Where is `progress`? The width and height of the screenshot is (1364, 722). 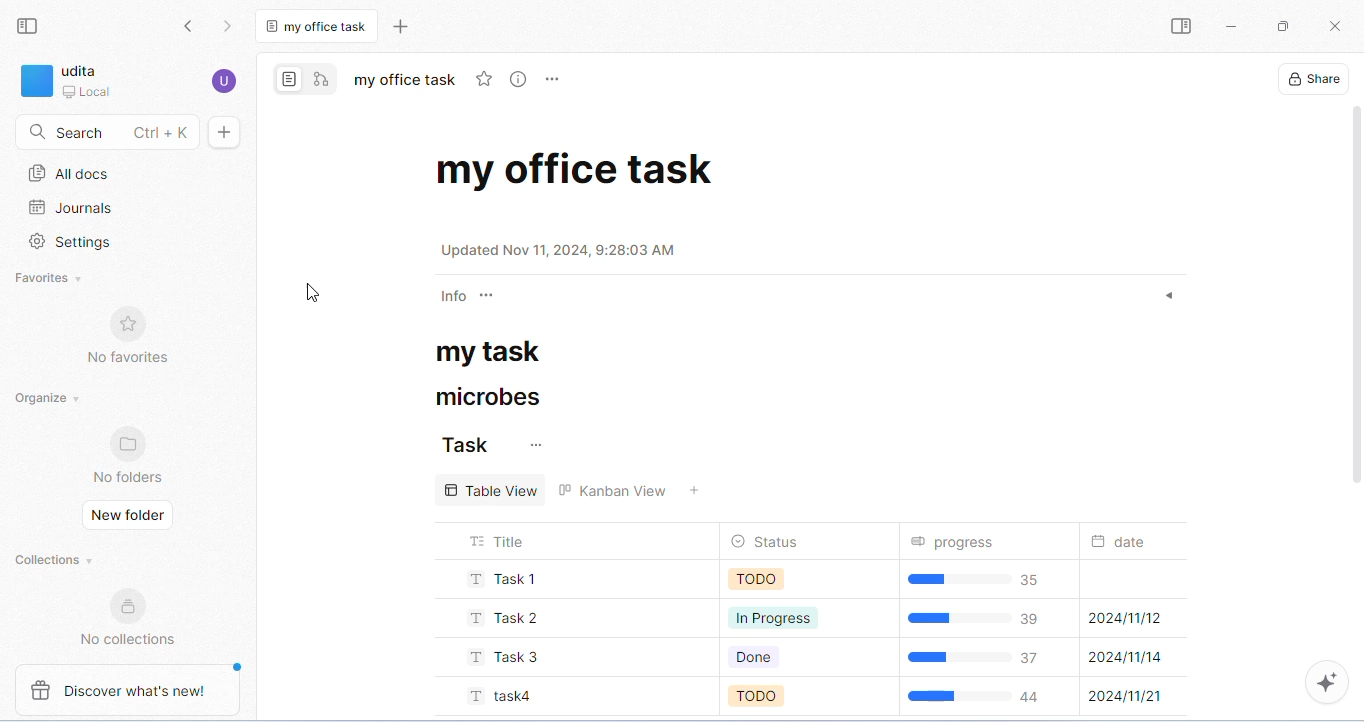 progress is located at coordinates (957, 541).